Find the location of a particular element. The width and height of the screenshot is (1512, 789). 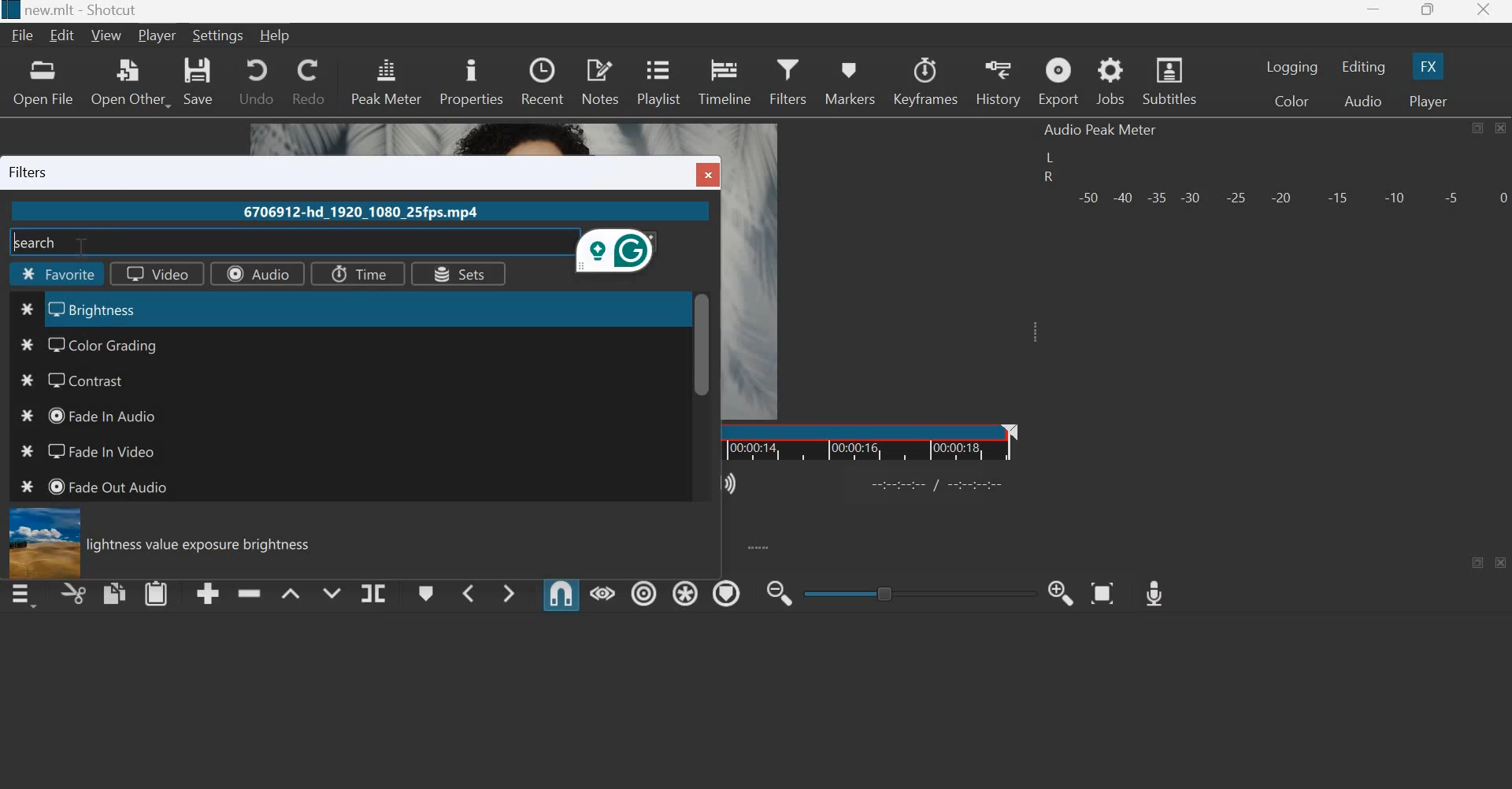

cut is located at coordinates (74, 595).